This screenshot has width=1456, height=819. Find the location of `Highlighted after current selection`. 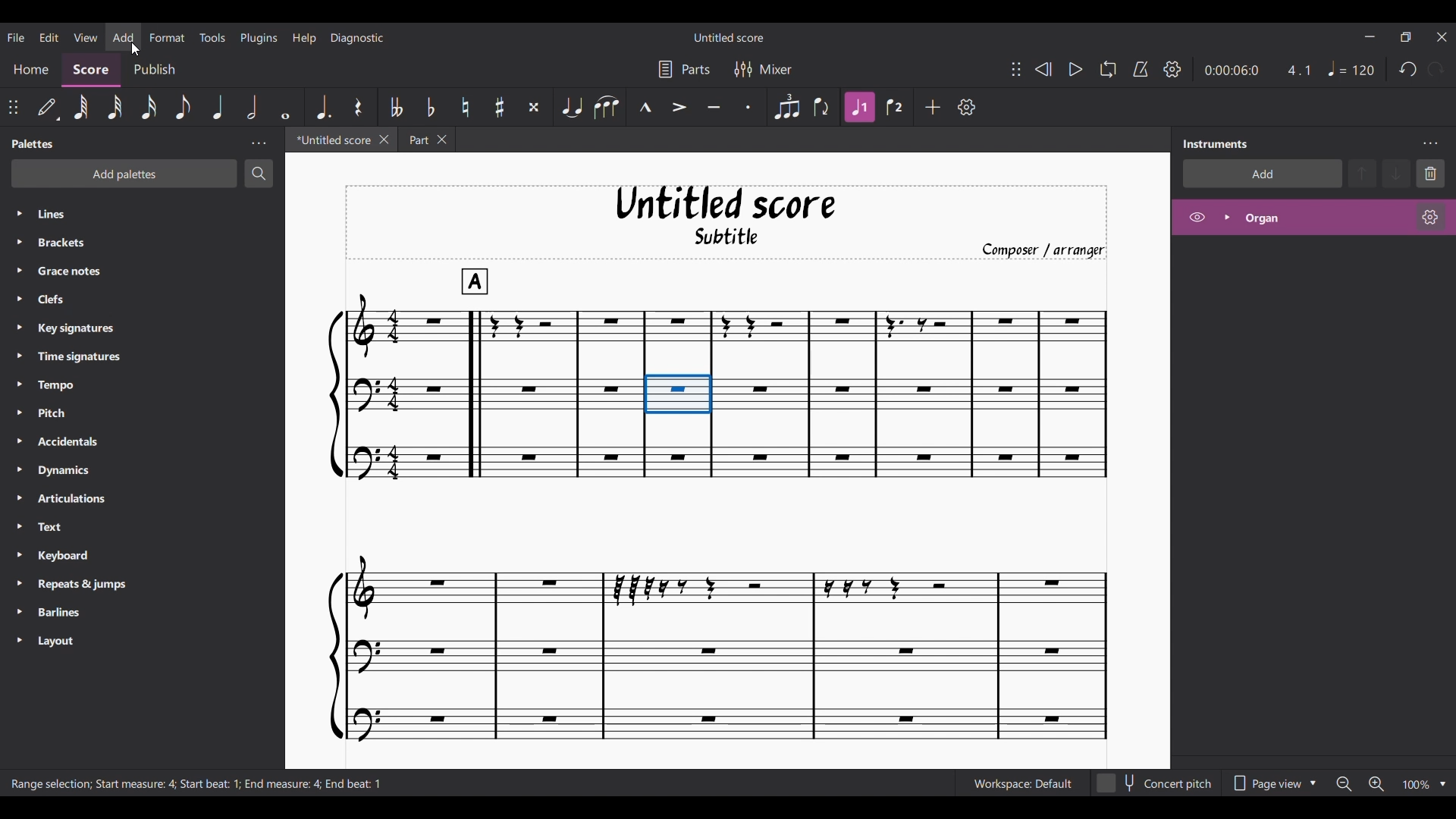

Highlighted after current selection is located at coordinates (860, 106).